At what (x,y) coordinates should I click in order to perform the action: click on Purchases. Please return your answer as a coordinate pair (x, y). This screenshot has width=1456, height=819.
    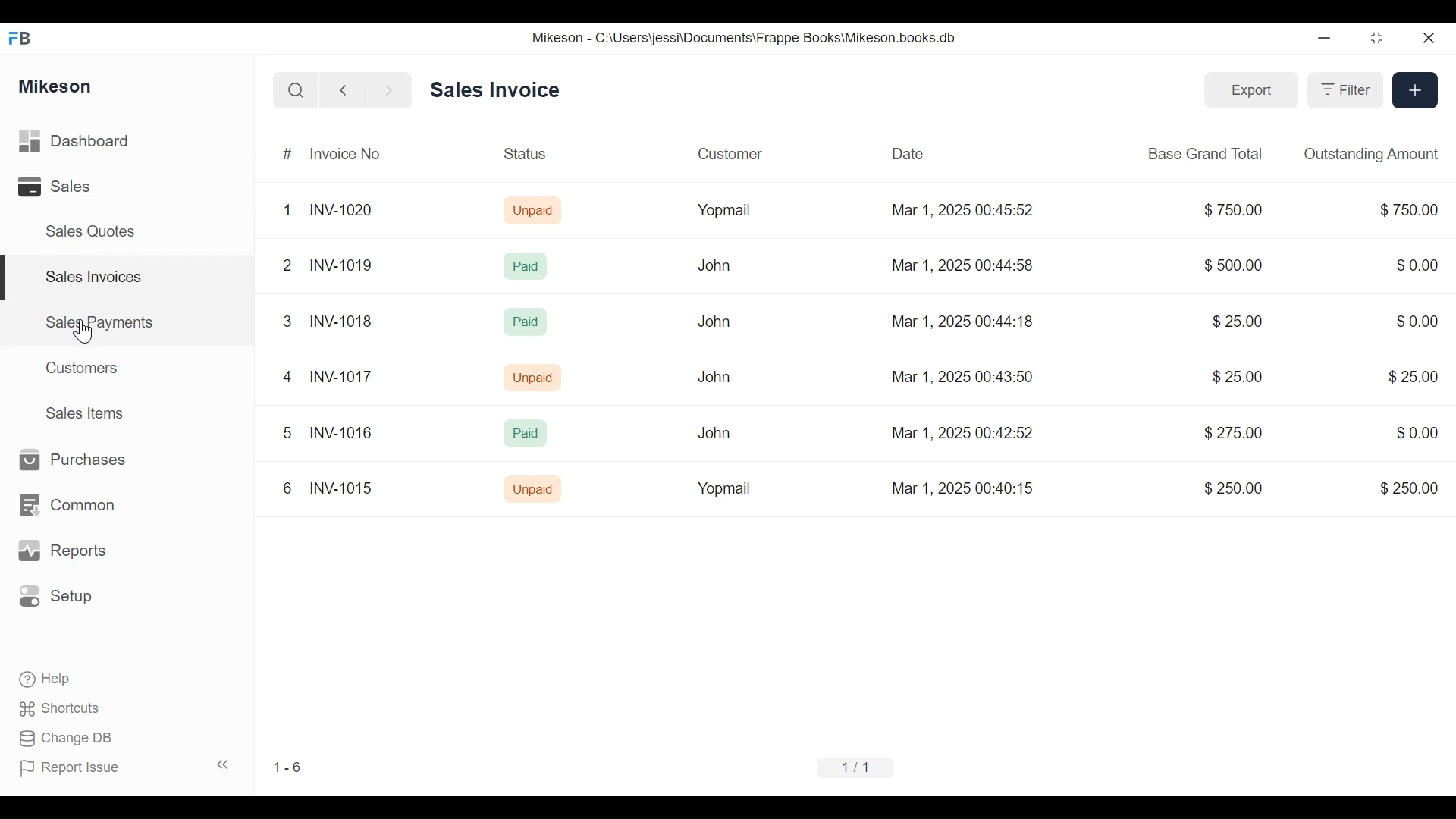
    Looking at the image, I should click on (72, 460).